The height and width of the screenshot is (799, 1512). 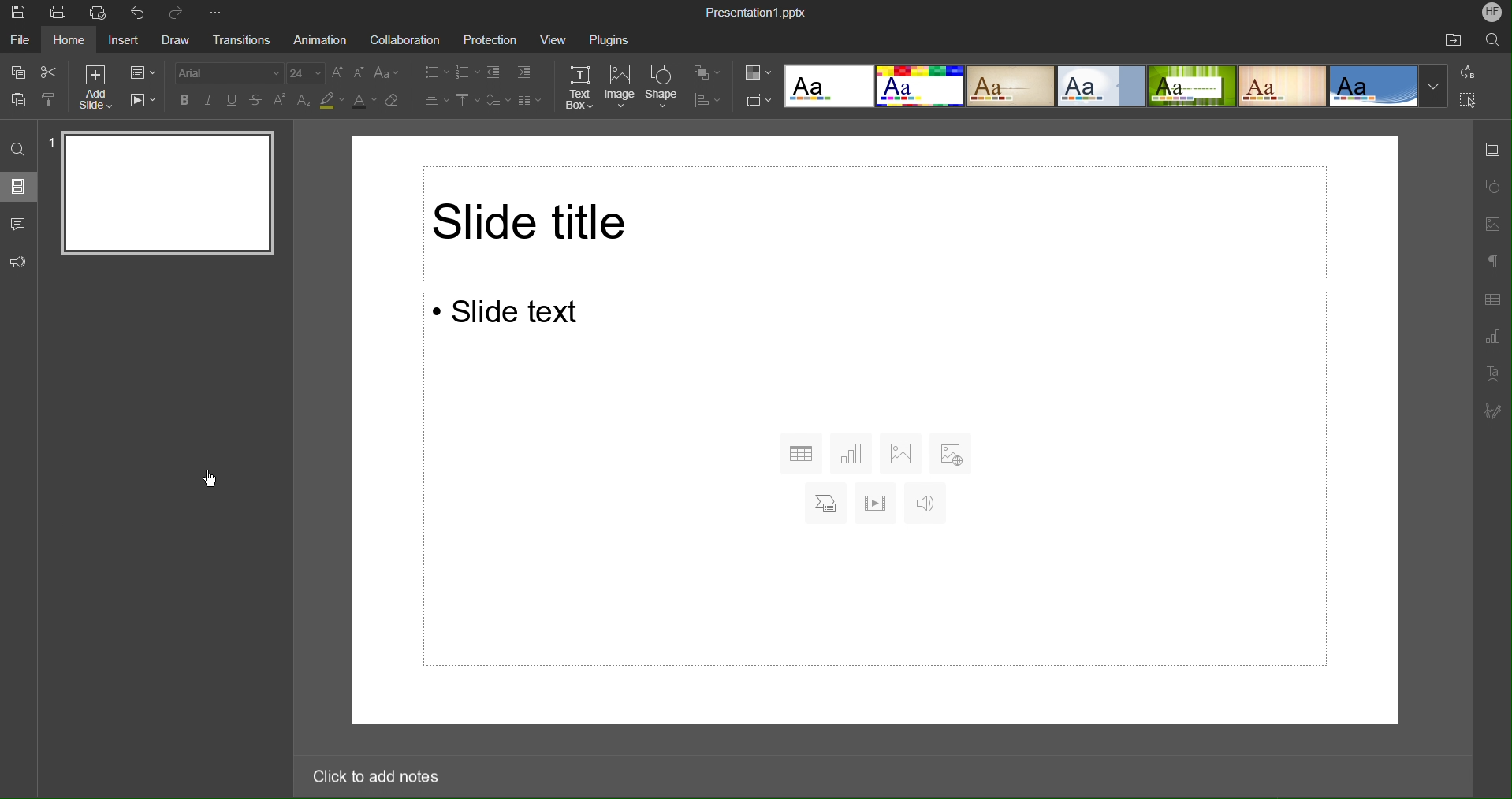 What do you see at coordinates (175, 41) in the screenshot?
I see `Draw` at bounding box center [175, 41].